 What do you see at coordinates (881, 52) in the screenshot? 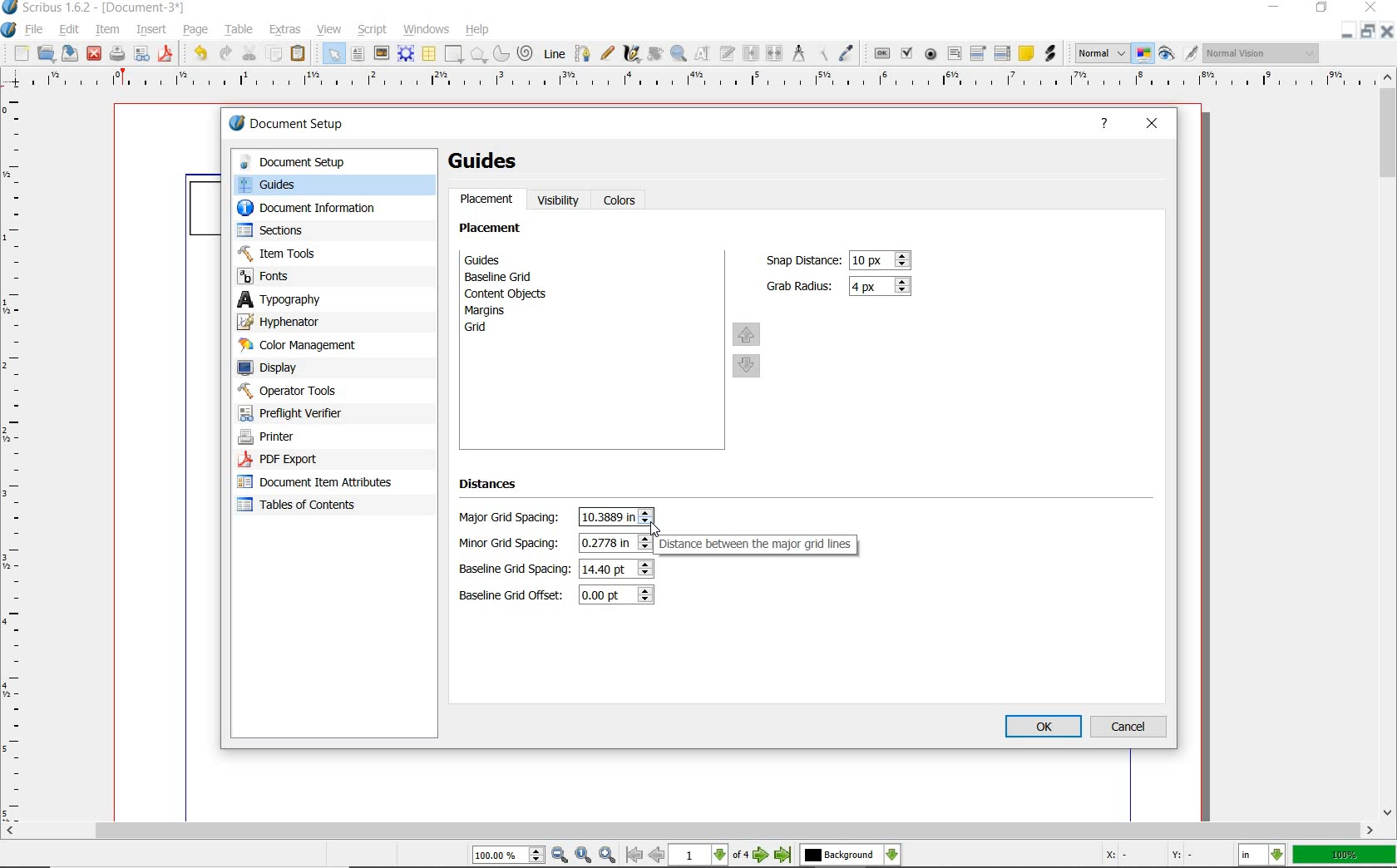
I see `pdf push button` at bounding box center [881, 52].